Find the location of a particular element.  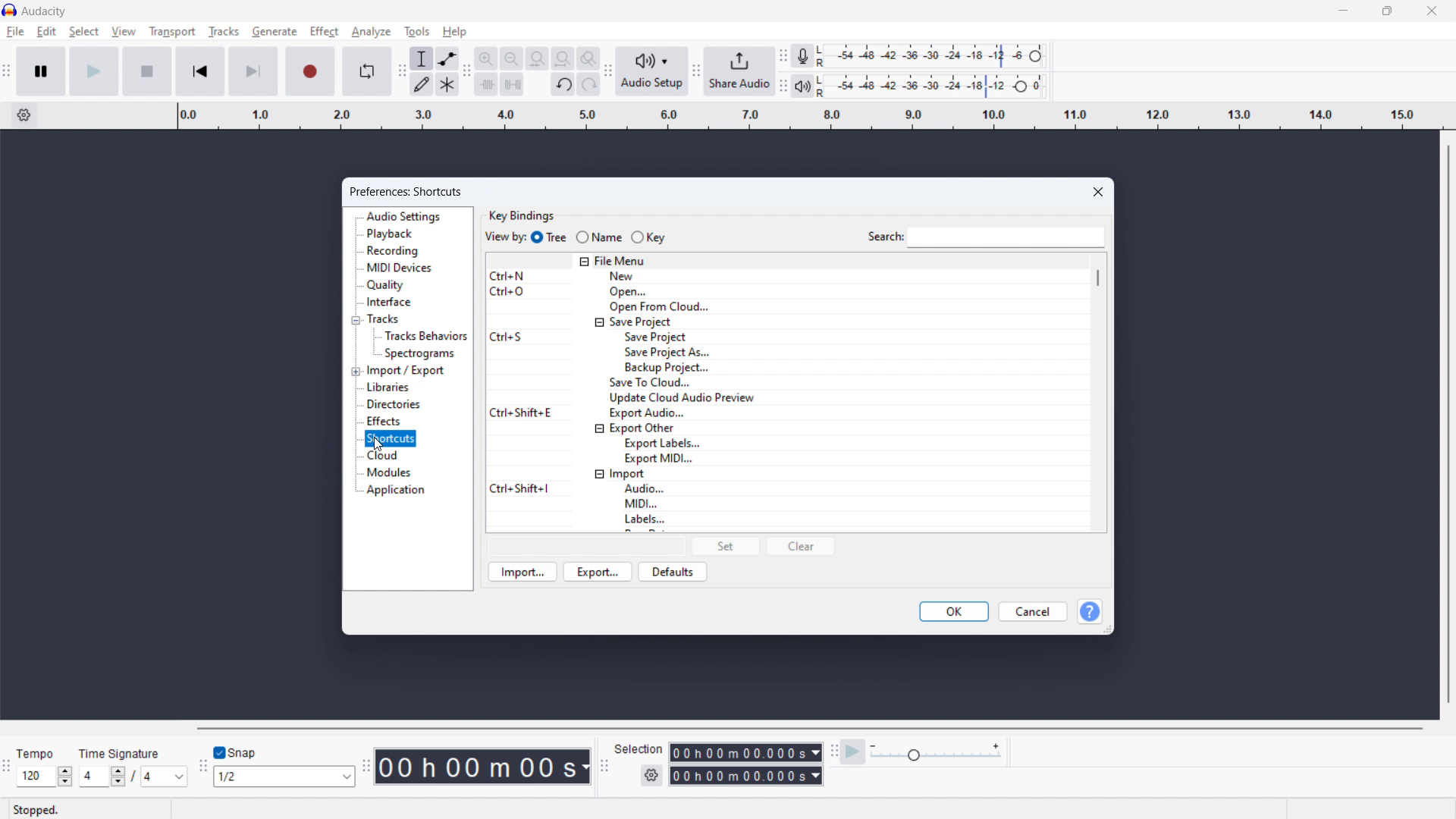

analyze is located at coordinates (372, 32).